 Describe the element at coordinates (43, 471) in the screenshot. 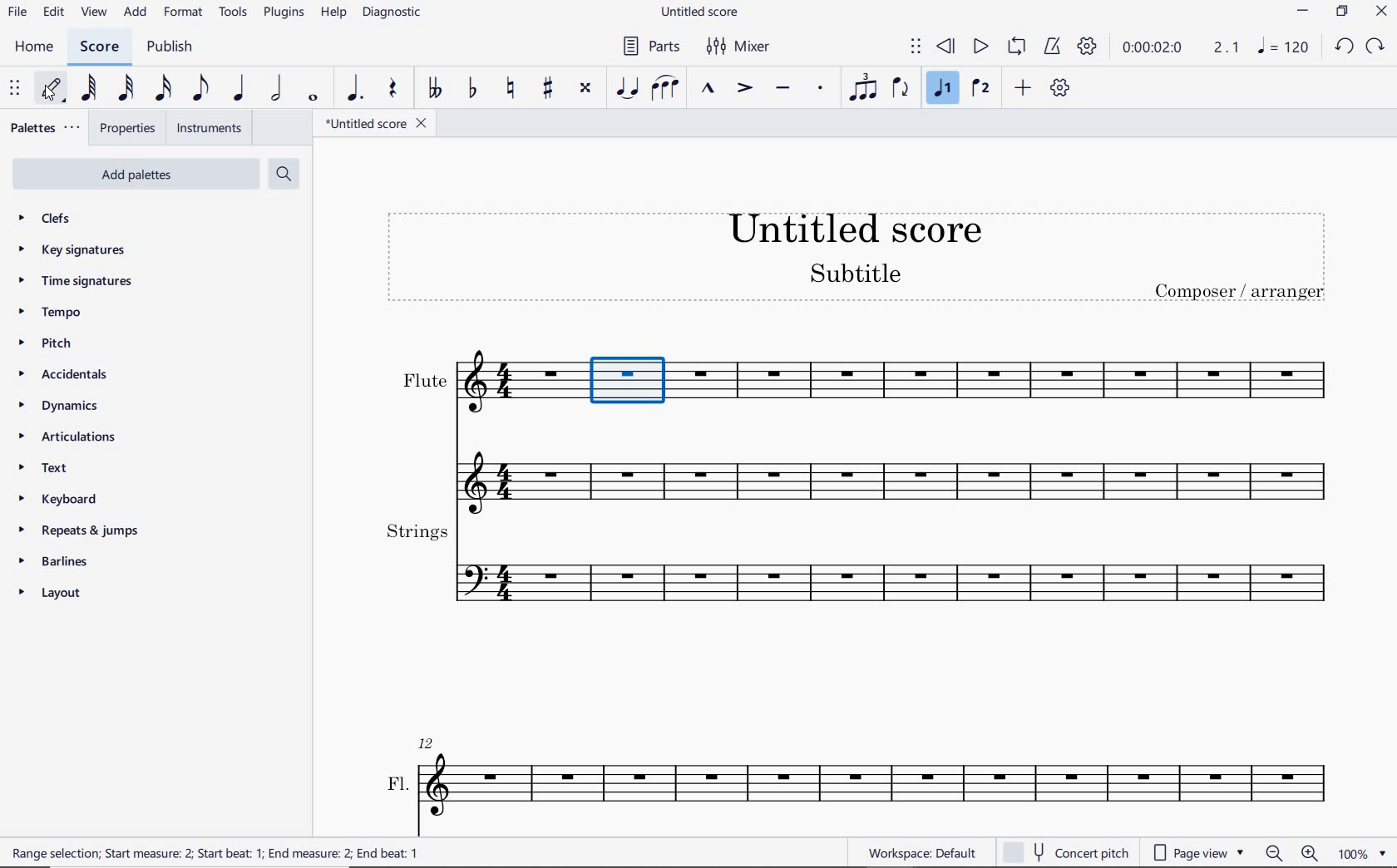

I see `text` at that location.